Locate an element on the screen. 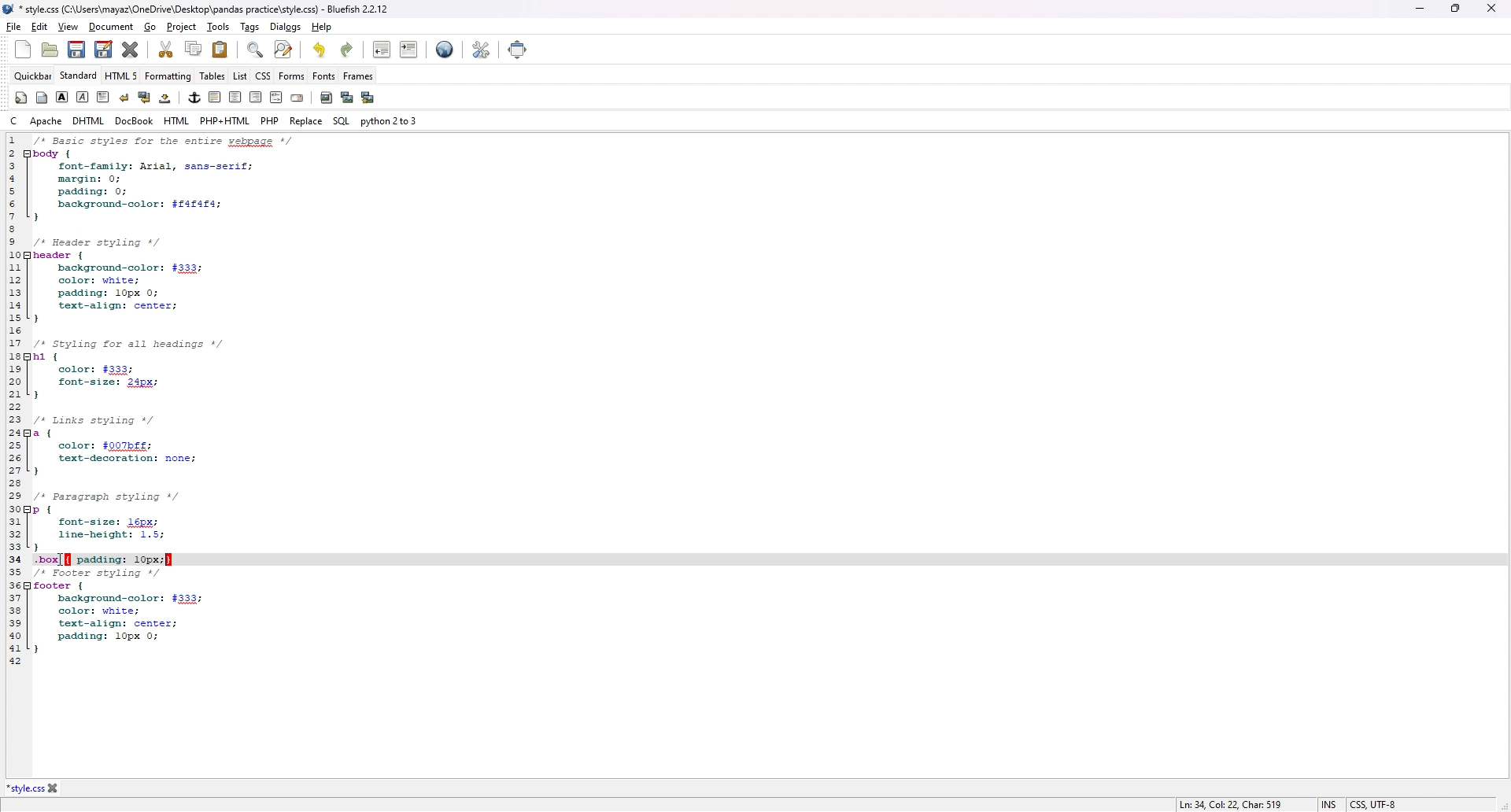 Image resolution: width=1511 pixels, height=812 pixels. forms is located at coordinates (292, 76).